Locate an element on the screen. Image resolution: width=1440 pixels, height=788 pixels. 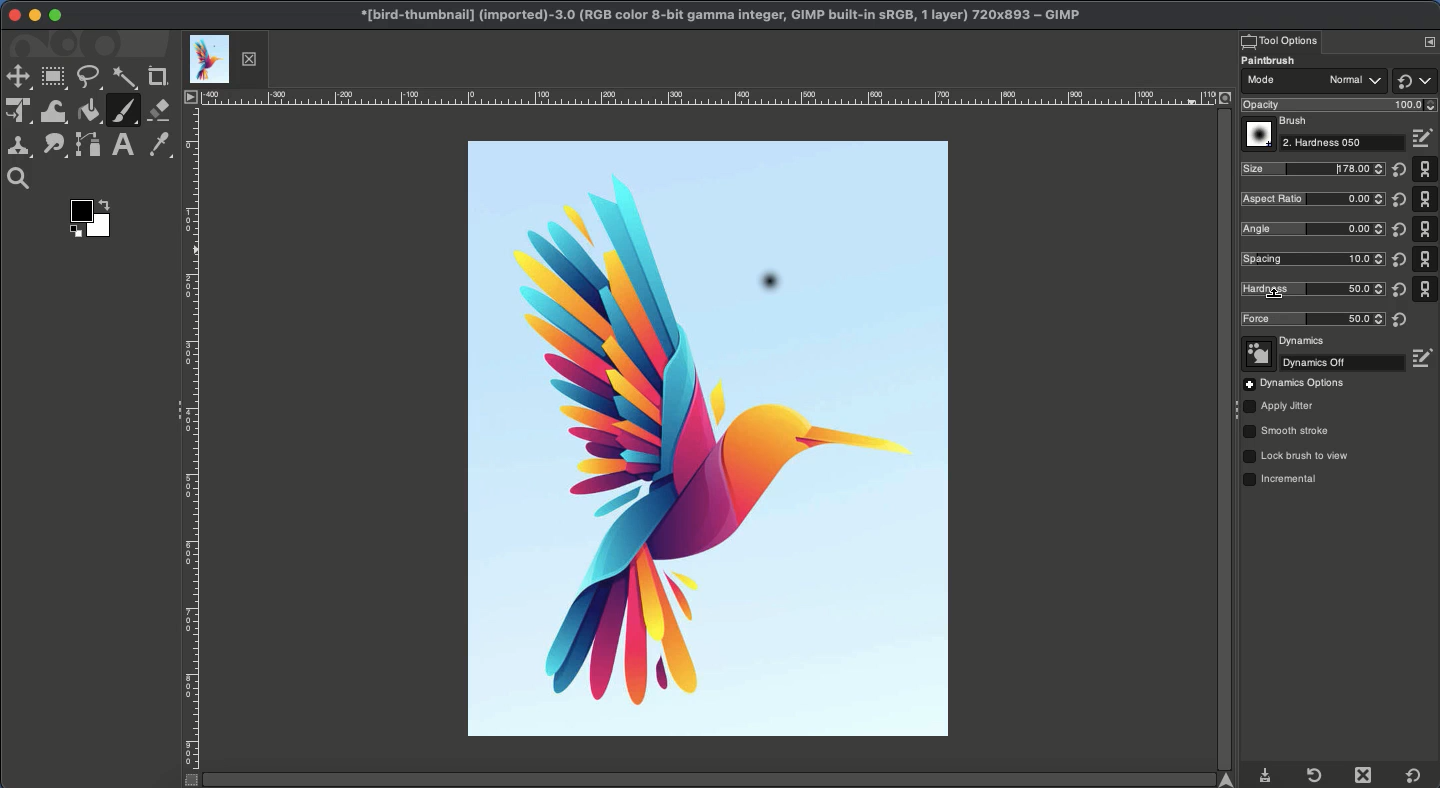
Edit is located at coordinates (1425, 139).